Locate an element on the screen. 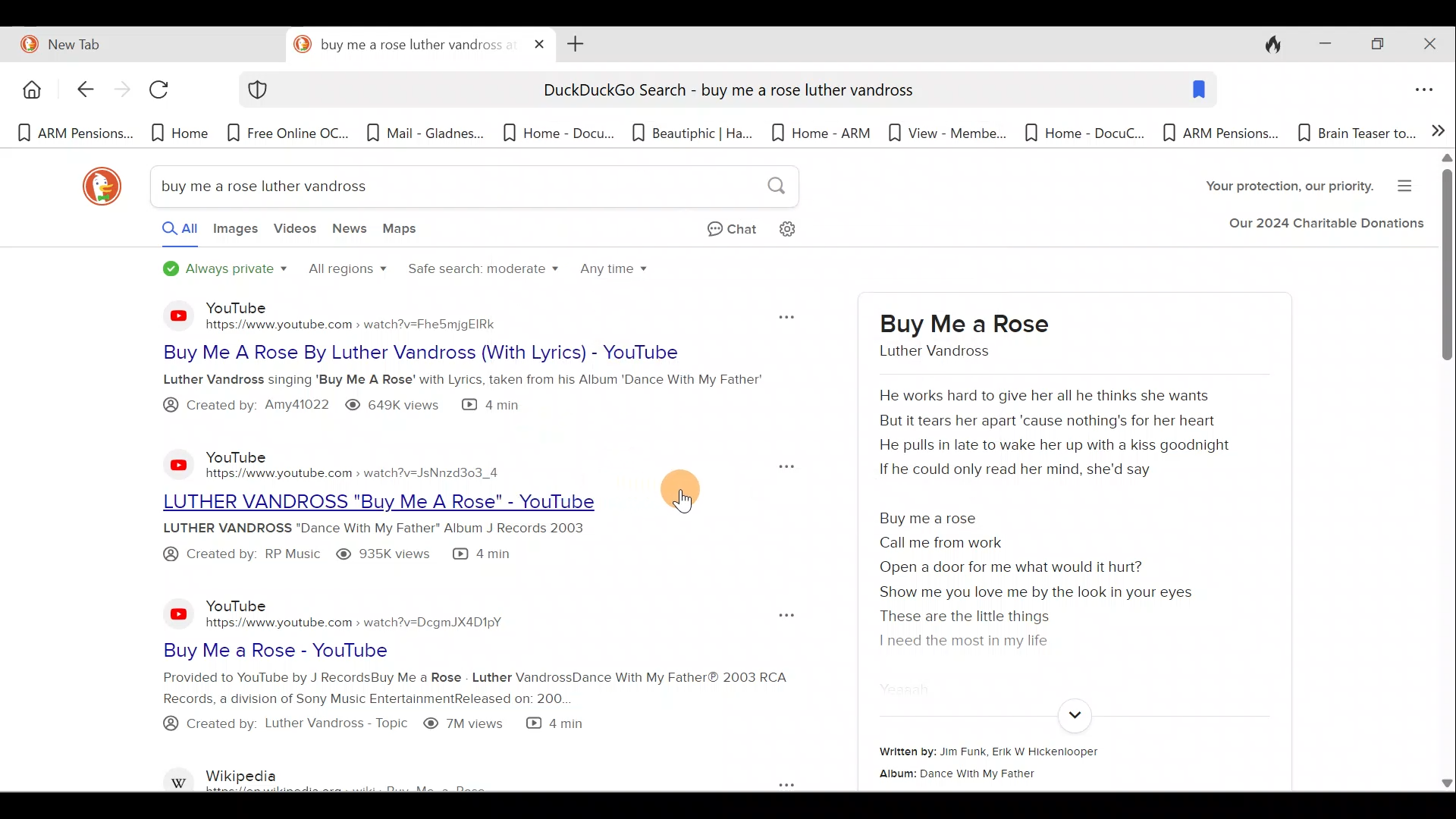 Image resolution: width=1456 pixels, height=819 pixels. Change search settings is located at coordinates (800, 227).